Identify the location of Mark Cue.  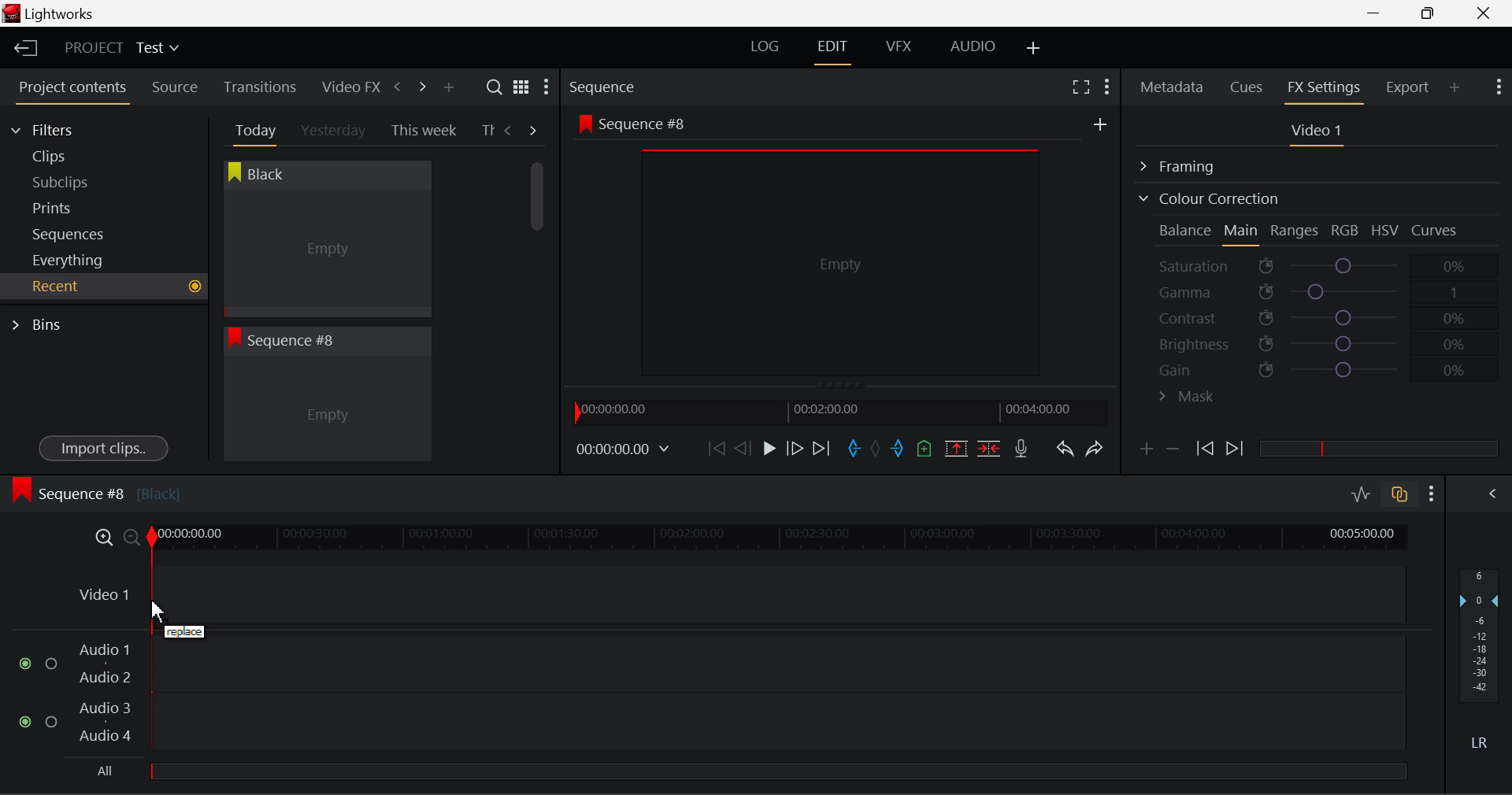
(923, 449).